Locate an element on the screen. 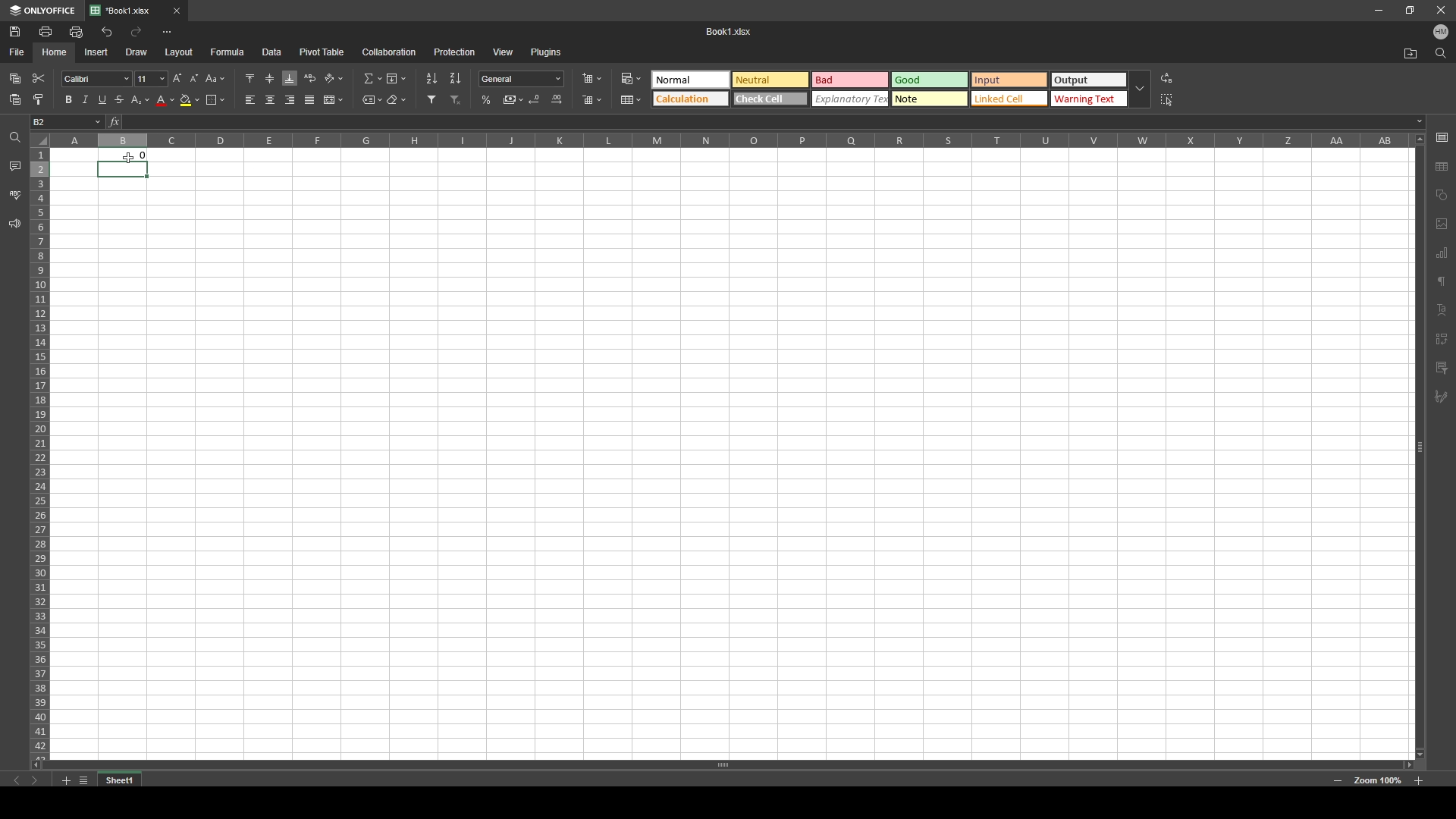 The width and height of the screenshot is (1456, 819). align right is located at coordinates (290, 100).